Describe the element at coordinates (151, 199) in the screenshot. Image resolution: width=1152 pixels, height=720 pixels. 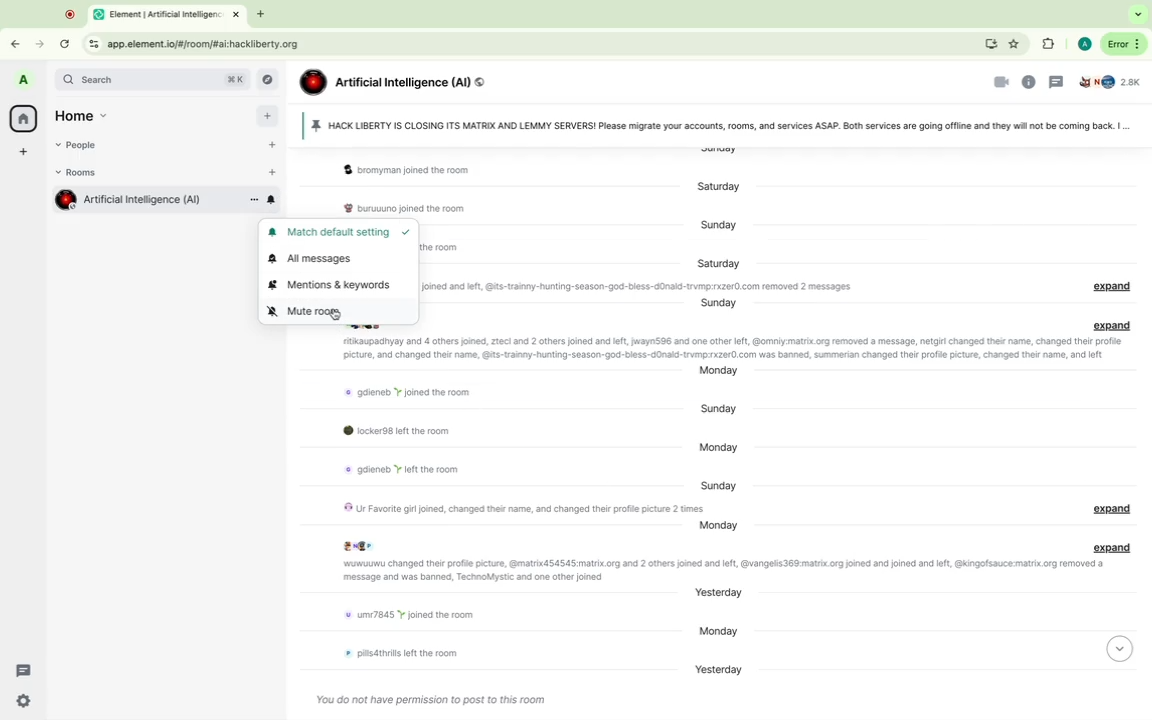
I see `Room` at that location.